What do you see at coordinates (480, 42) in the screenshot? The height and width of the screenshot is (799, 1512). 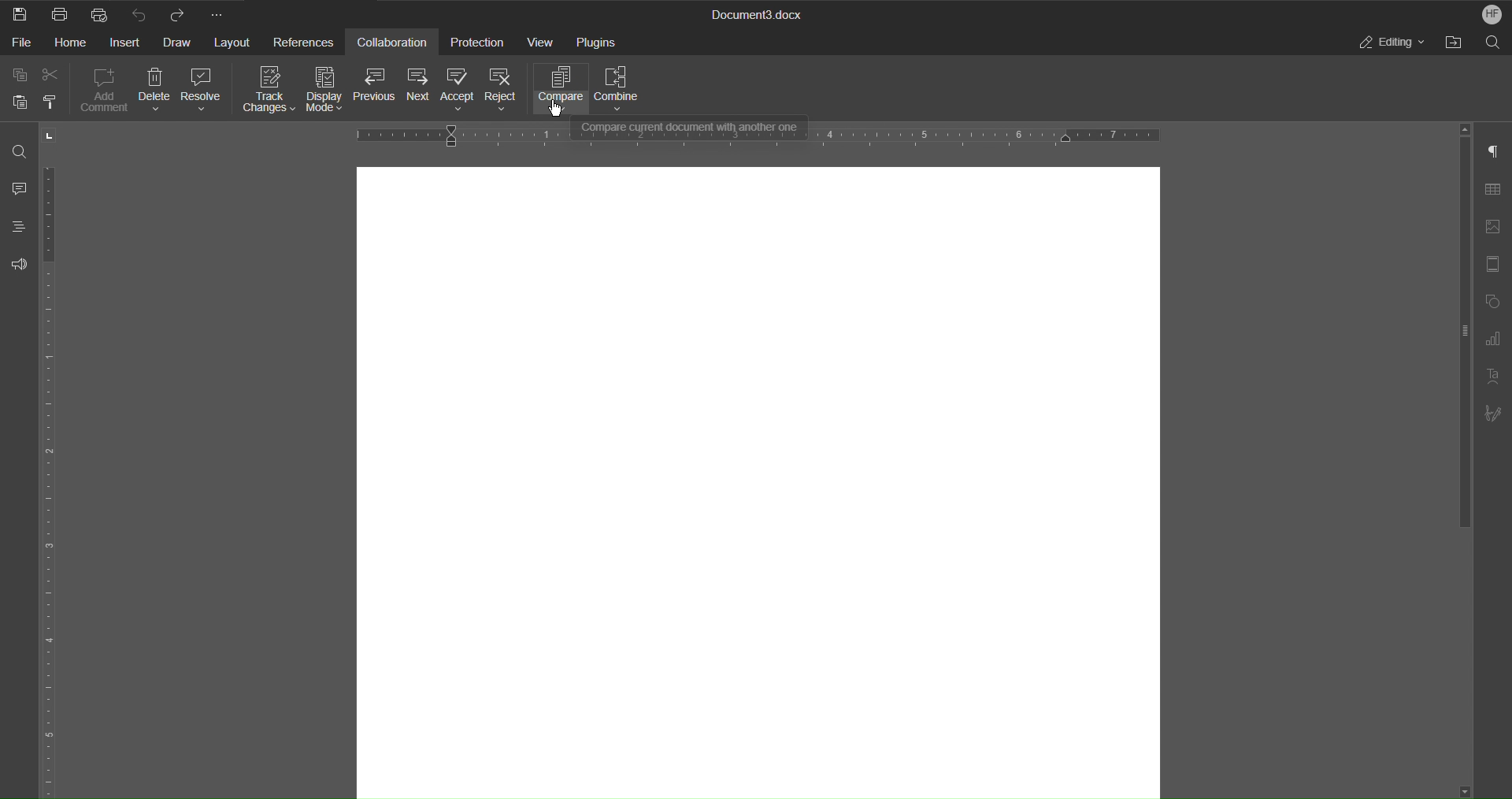 I see `Protection` at bounding box center [480, 42].